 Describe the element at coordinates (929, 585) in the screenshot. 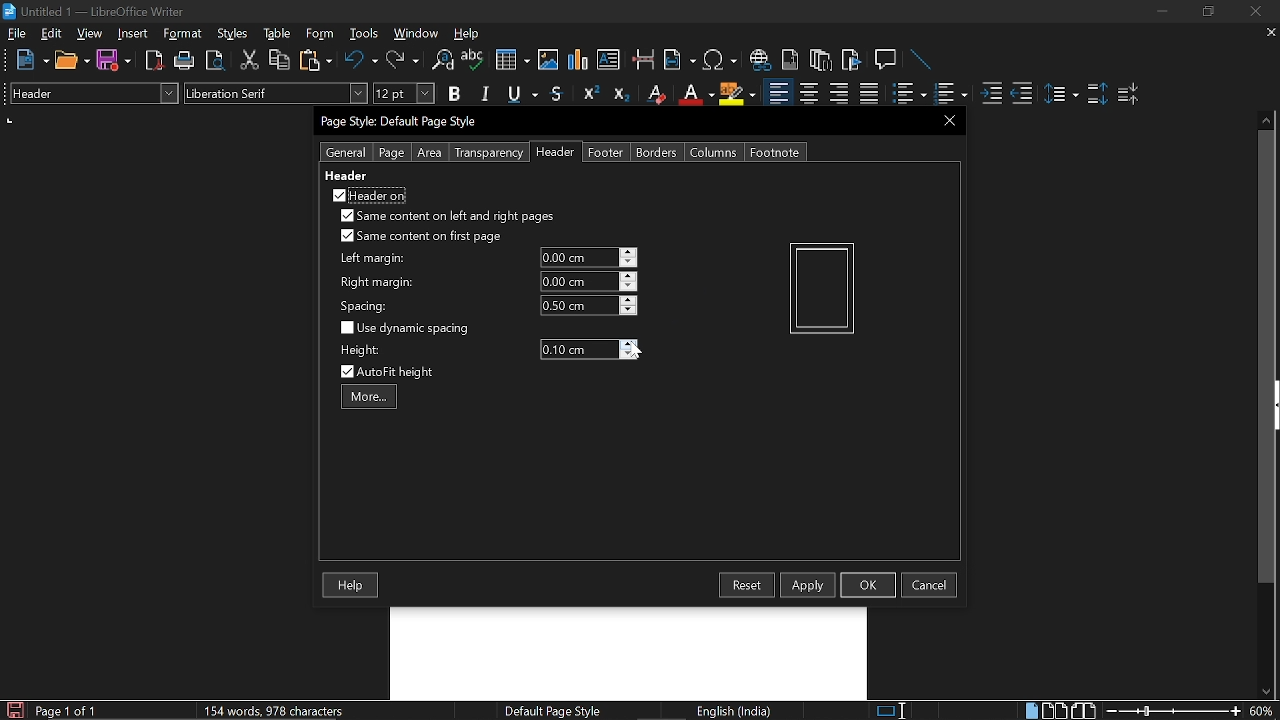

I see `cancel` at that location.